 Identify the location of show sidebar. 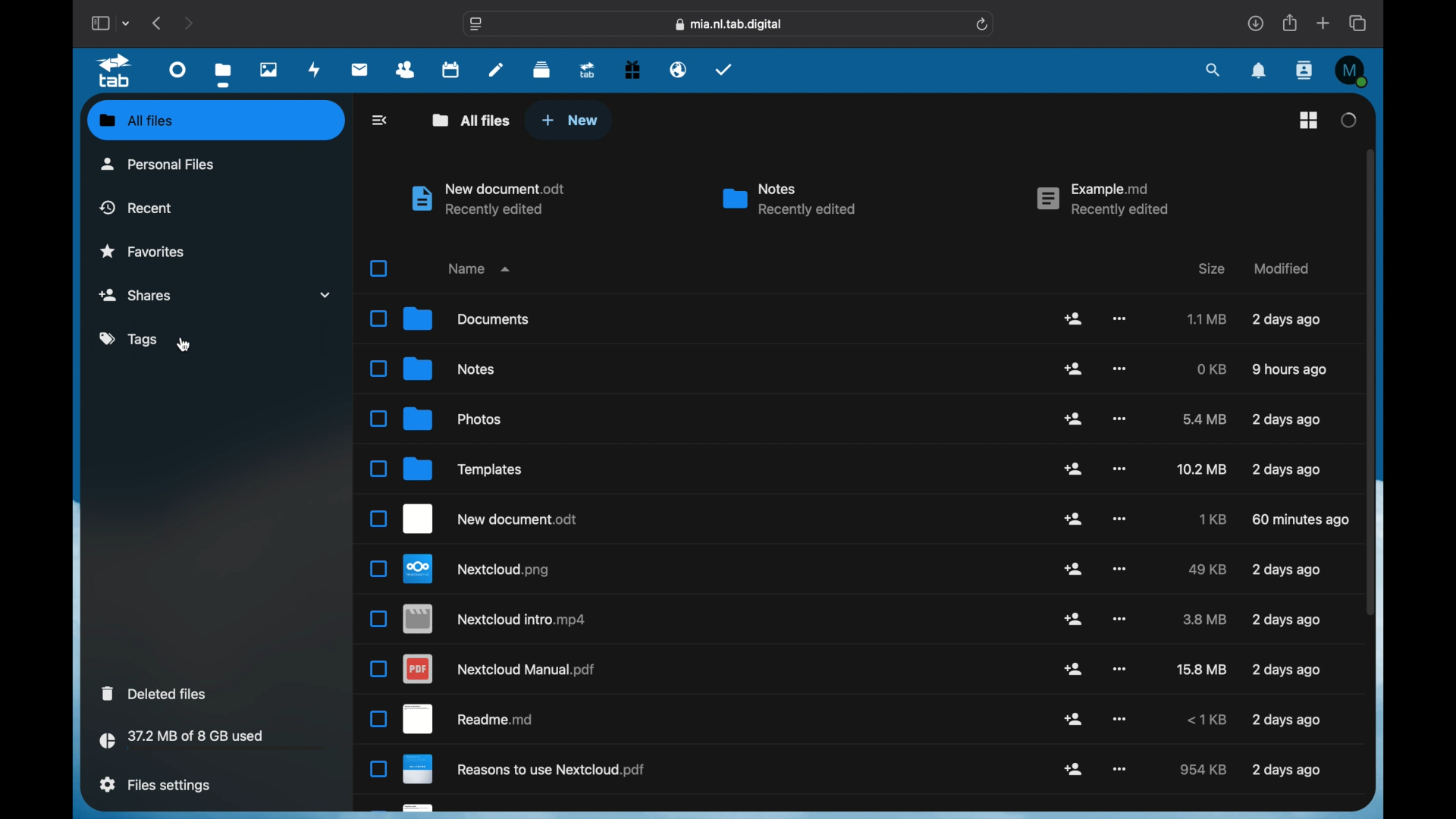
(99, 23).